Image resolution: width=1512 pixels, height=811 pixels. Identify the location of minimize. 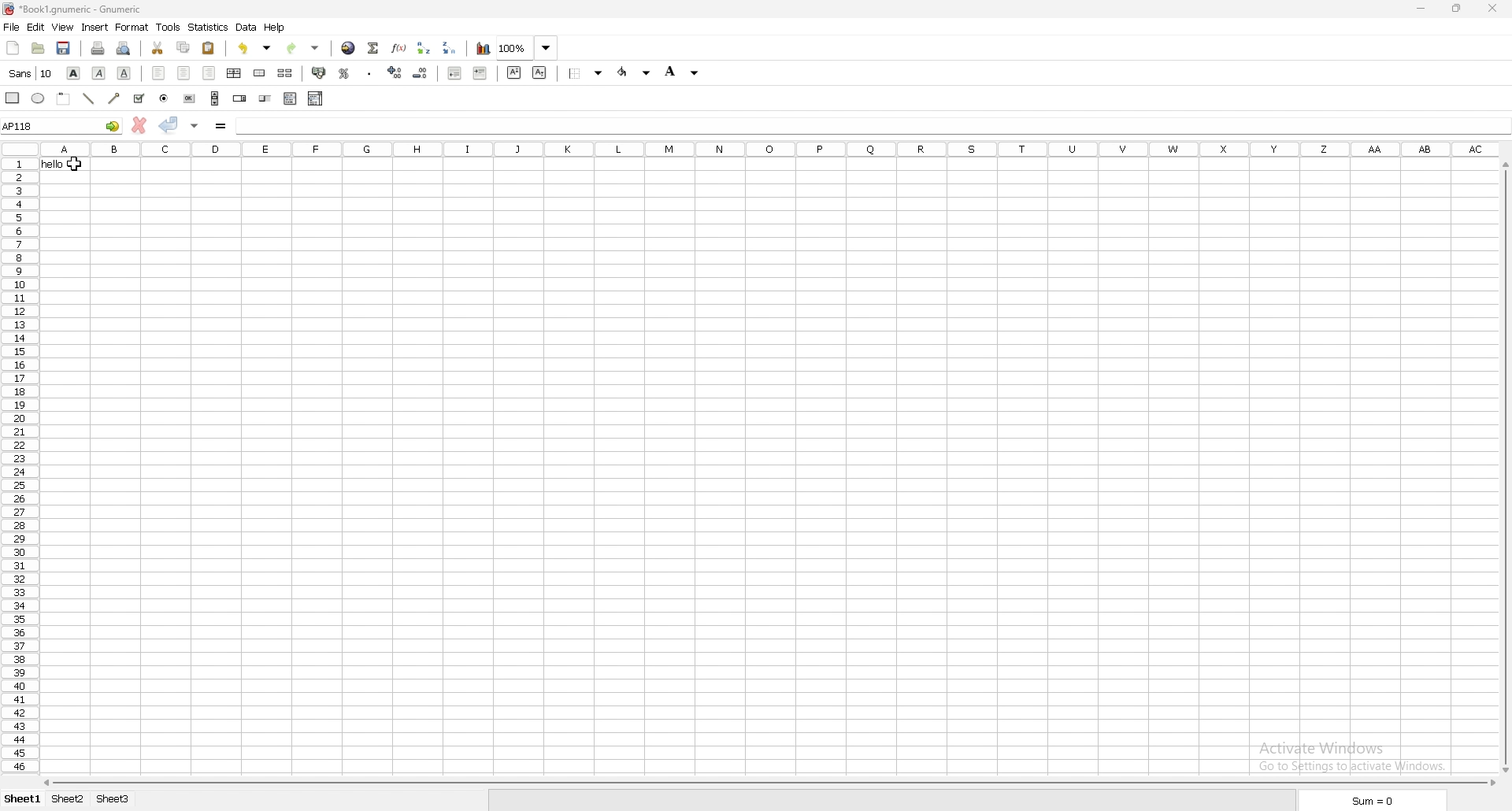
(1420, 8).